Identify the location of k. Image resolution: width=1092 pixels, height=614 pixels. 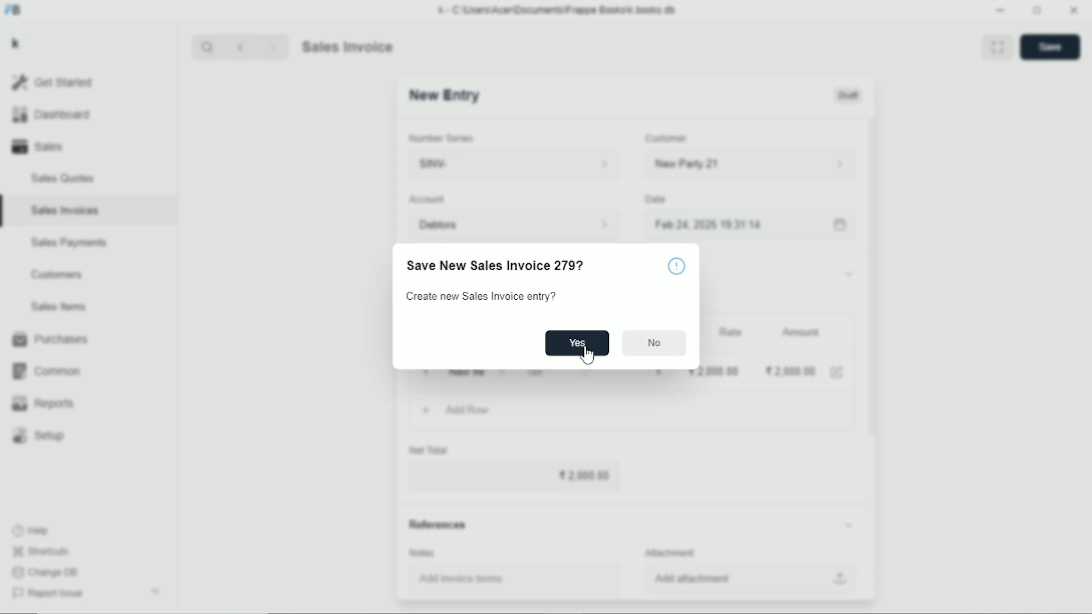
(15, 43).